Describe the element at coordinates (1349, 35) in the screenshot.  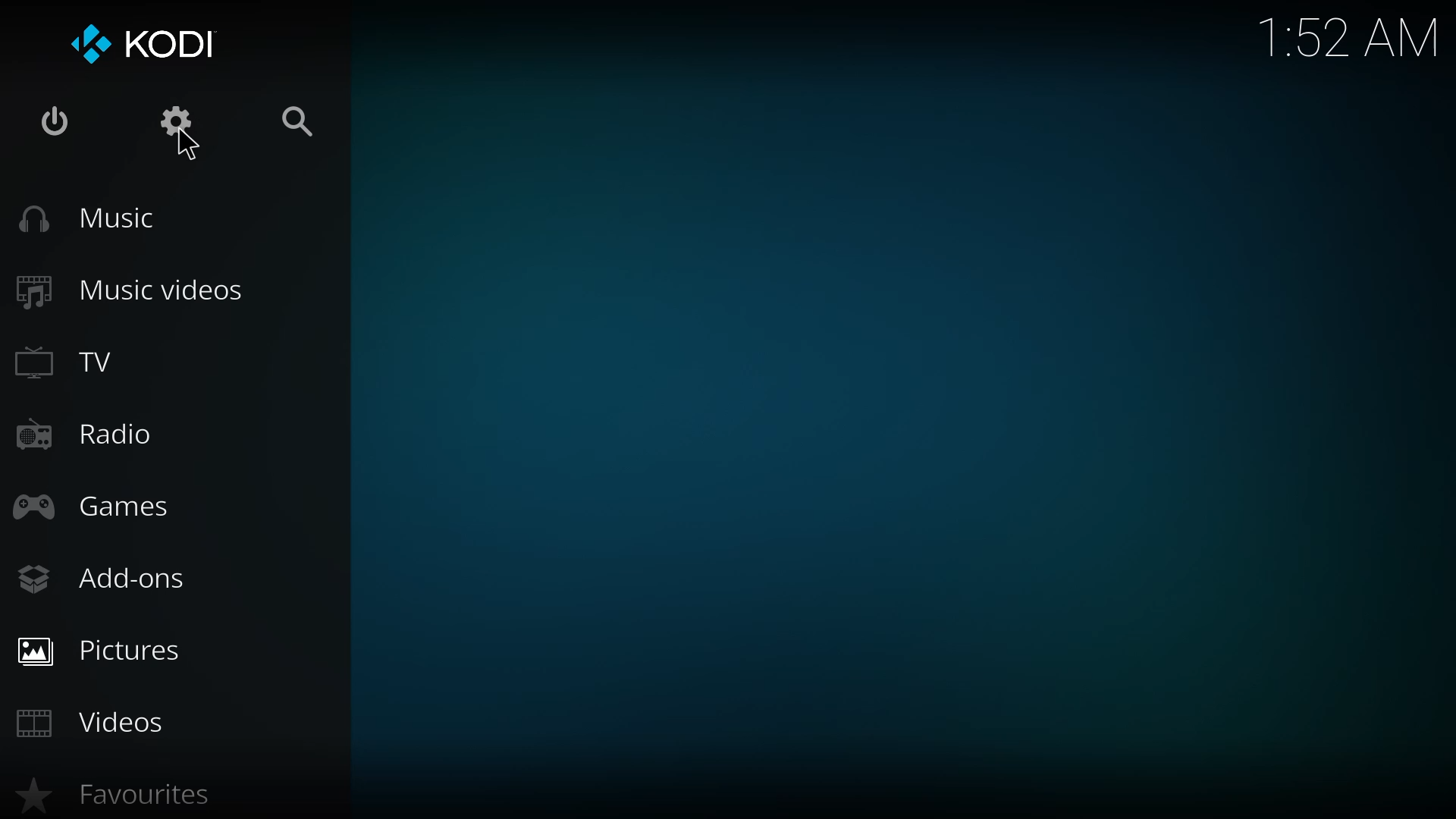
I see `time` at that location.